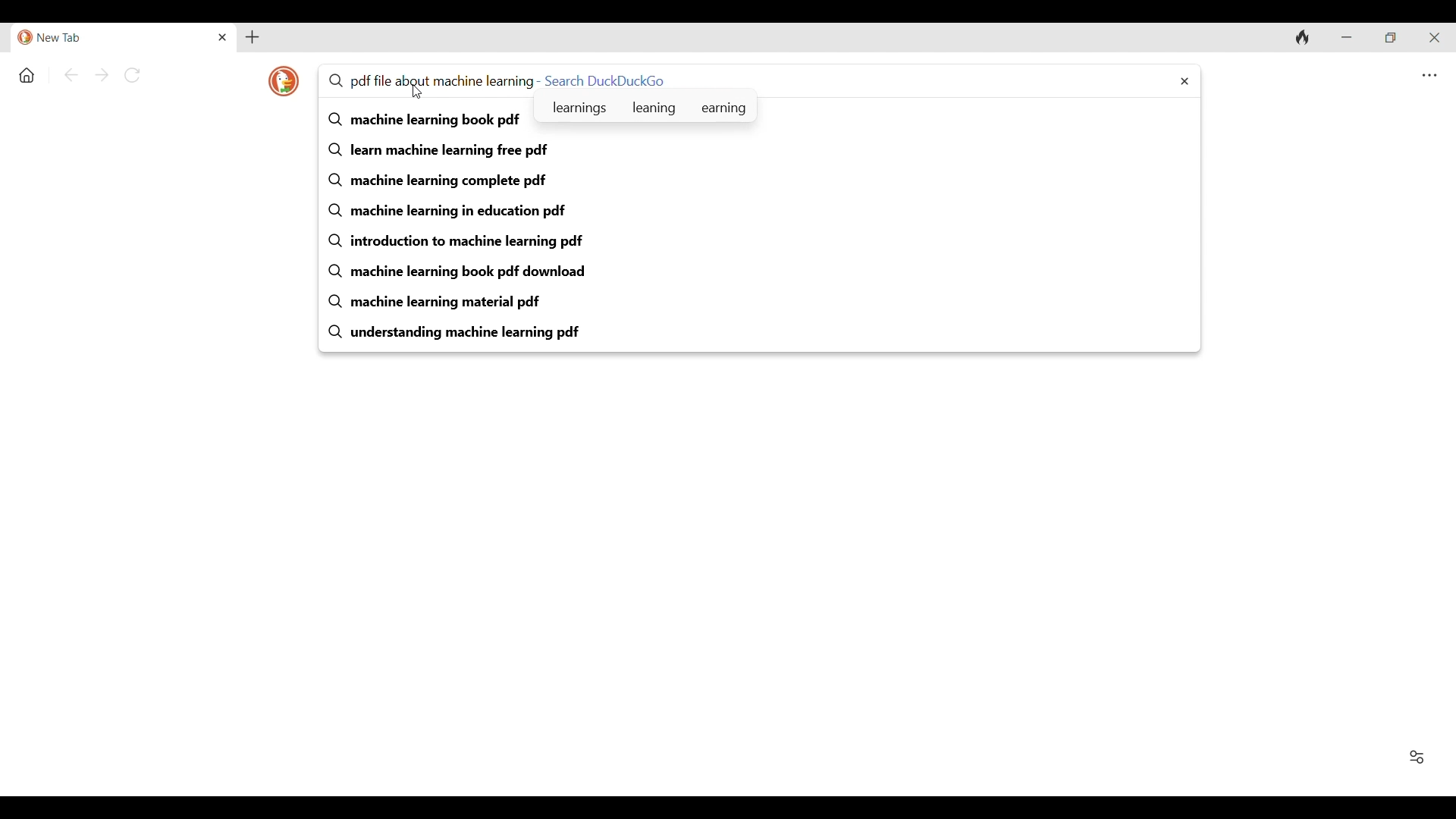 This screenshot has height=819, width=1456. What do you see at coordinates (761, 211) in the screenshot?
I see `machine learning in education pdf` at bounding box center [761, 211].